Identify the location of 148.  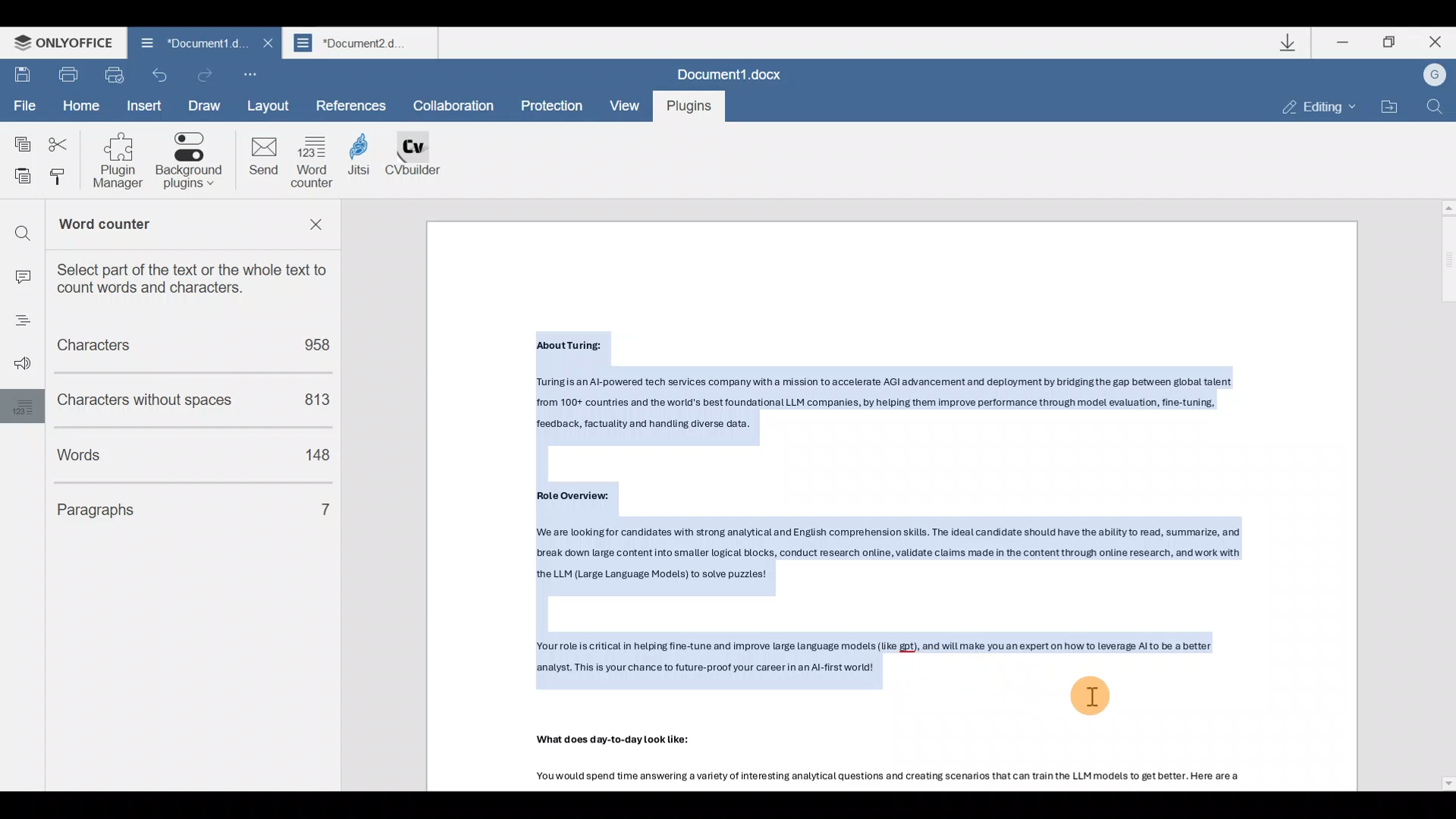
(313, 453).